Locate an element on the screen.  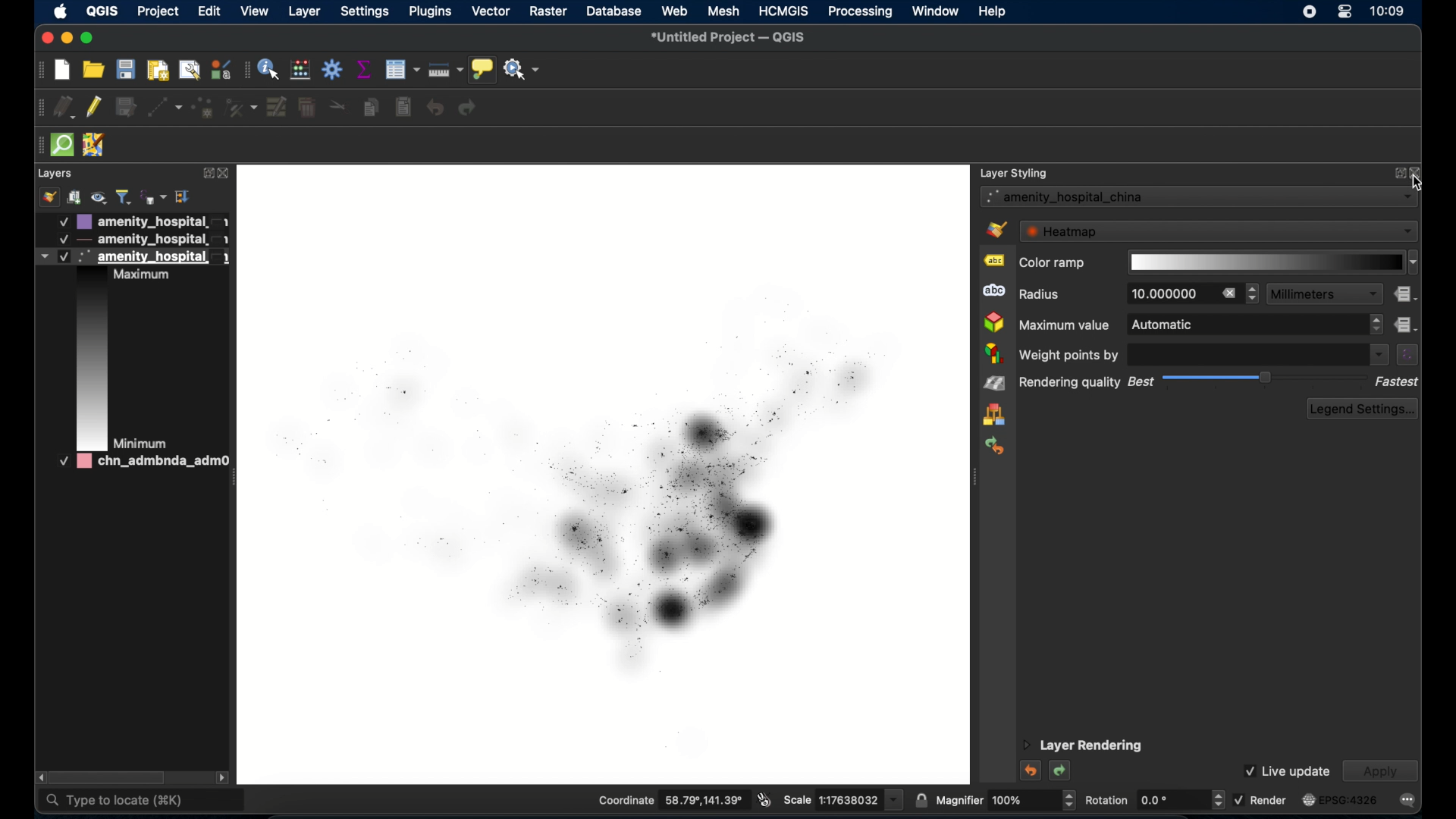
web is located at coordinates (676, 11).